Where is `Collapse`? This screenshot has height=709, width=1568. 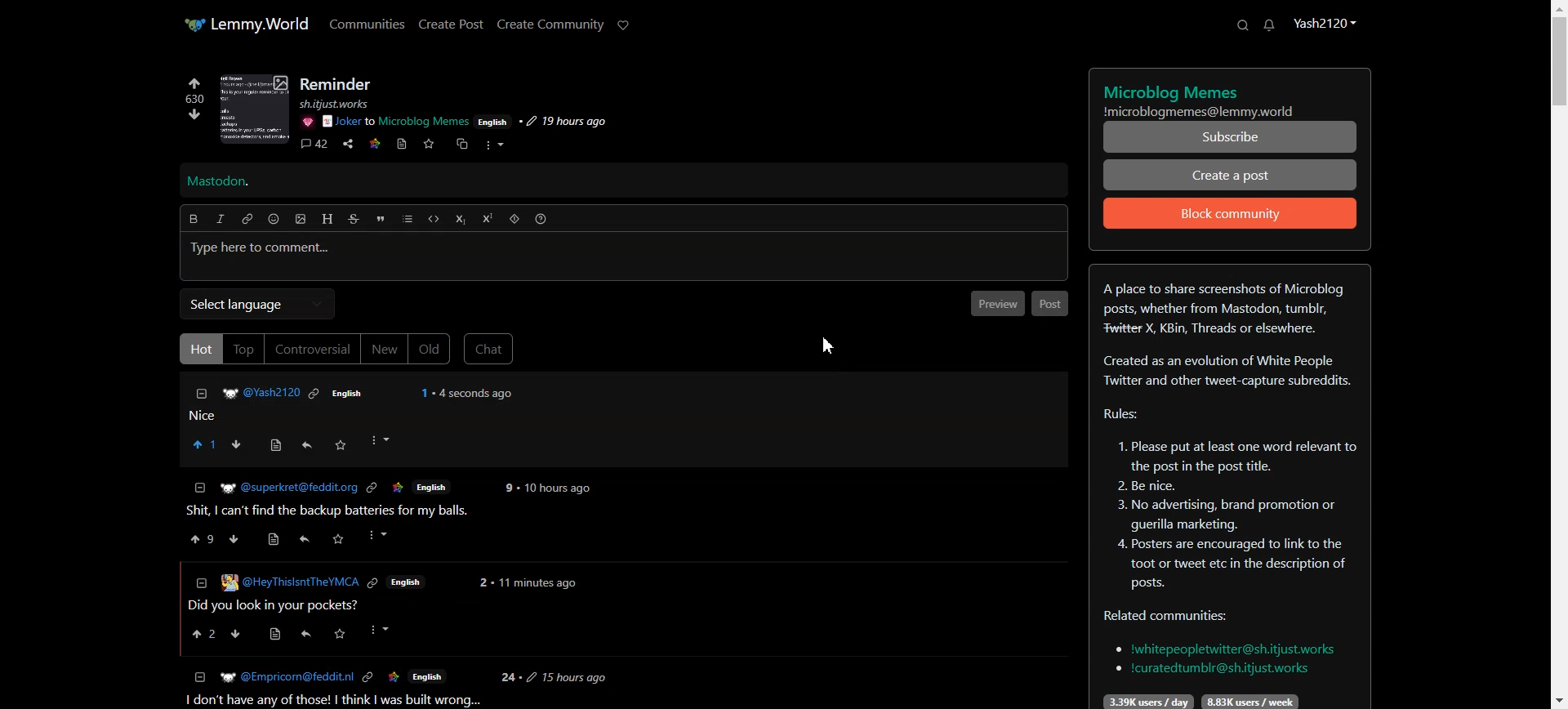 Collapse is located at coordinates (200, 394).